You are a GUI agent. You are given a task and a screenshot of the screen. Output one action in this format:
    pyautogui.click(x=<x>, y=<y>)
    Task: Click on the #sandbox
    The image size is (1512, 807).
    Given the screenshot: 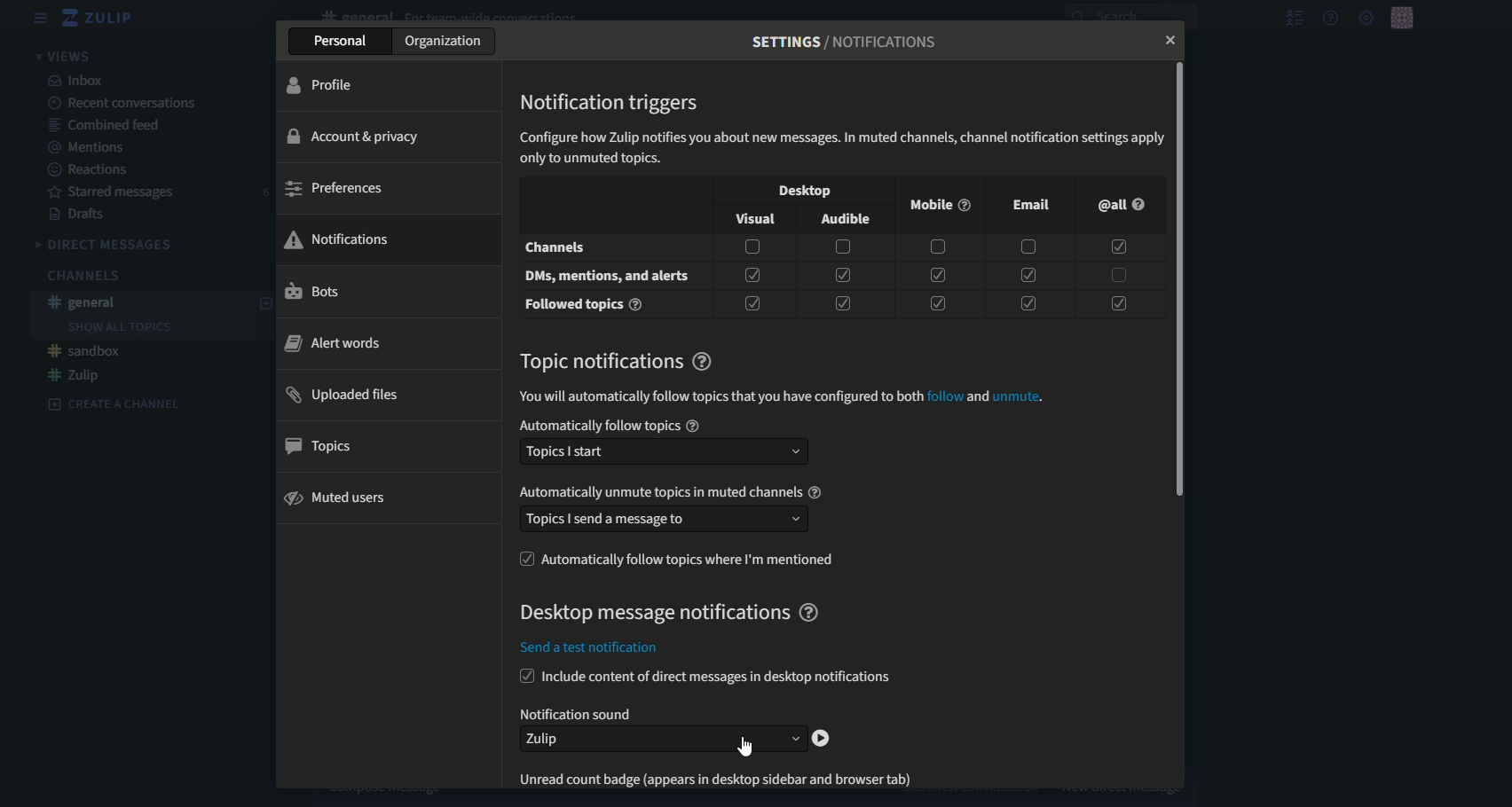 What is the action you would take?
    pyautogui.click(x=86, y=351)
    